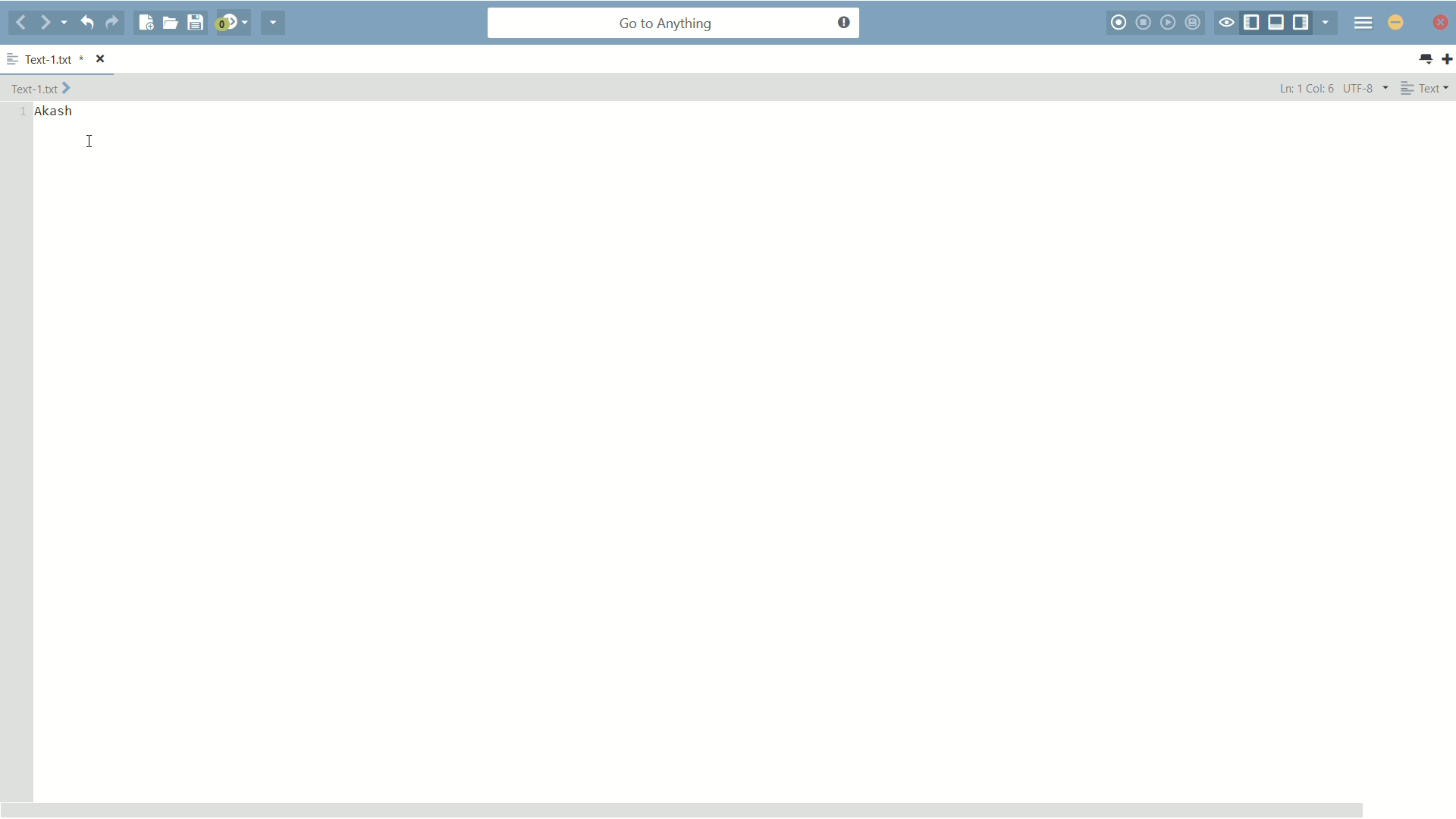 This screenshot has width=1456, height=819. I want to click on Text-1.txt, so click(55, 58).